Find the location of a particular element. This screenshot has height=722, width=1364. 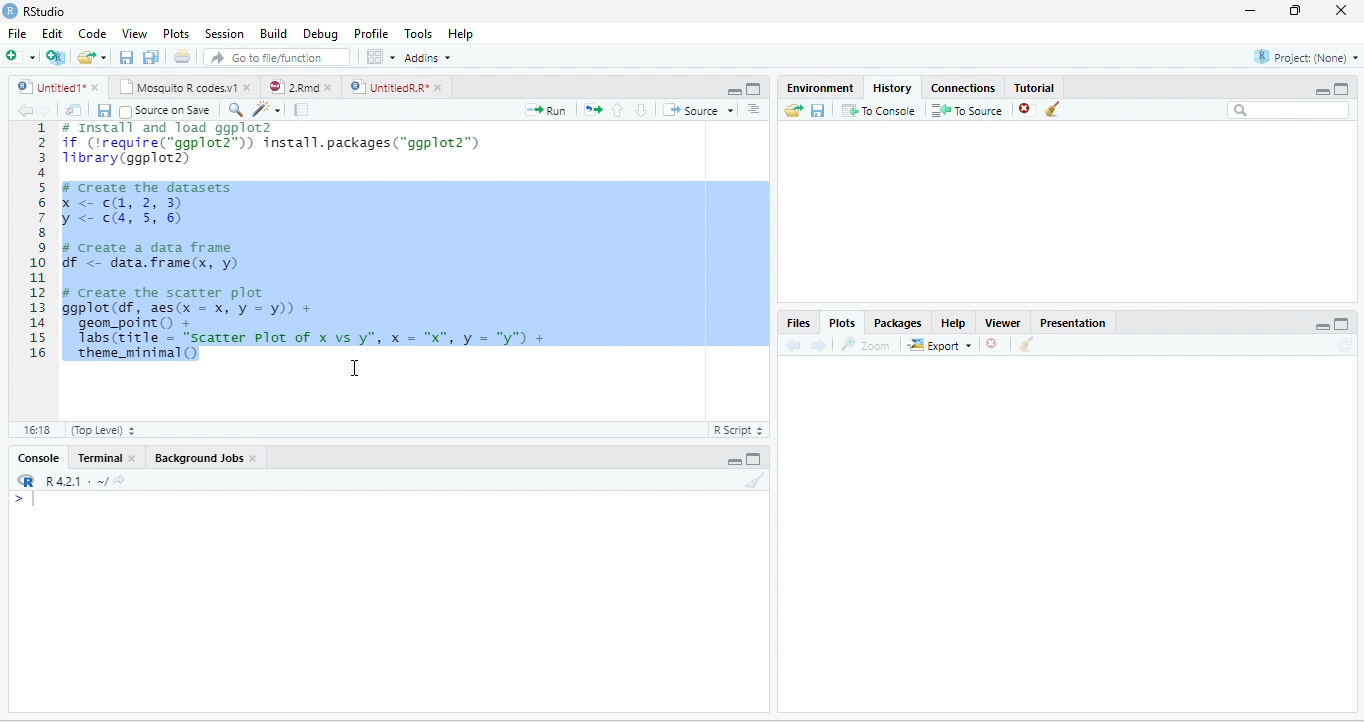

Go to previous section/chunk is located at coordinates (618, 110).